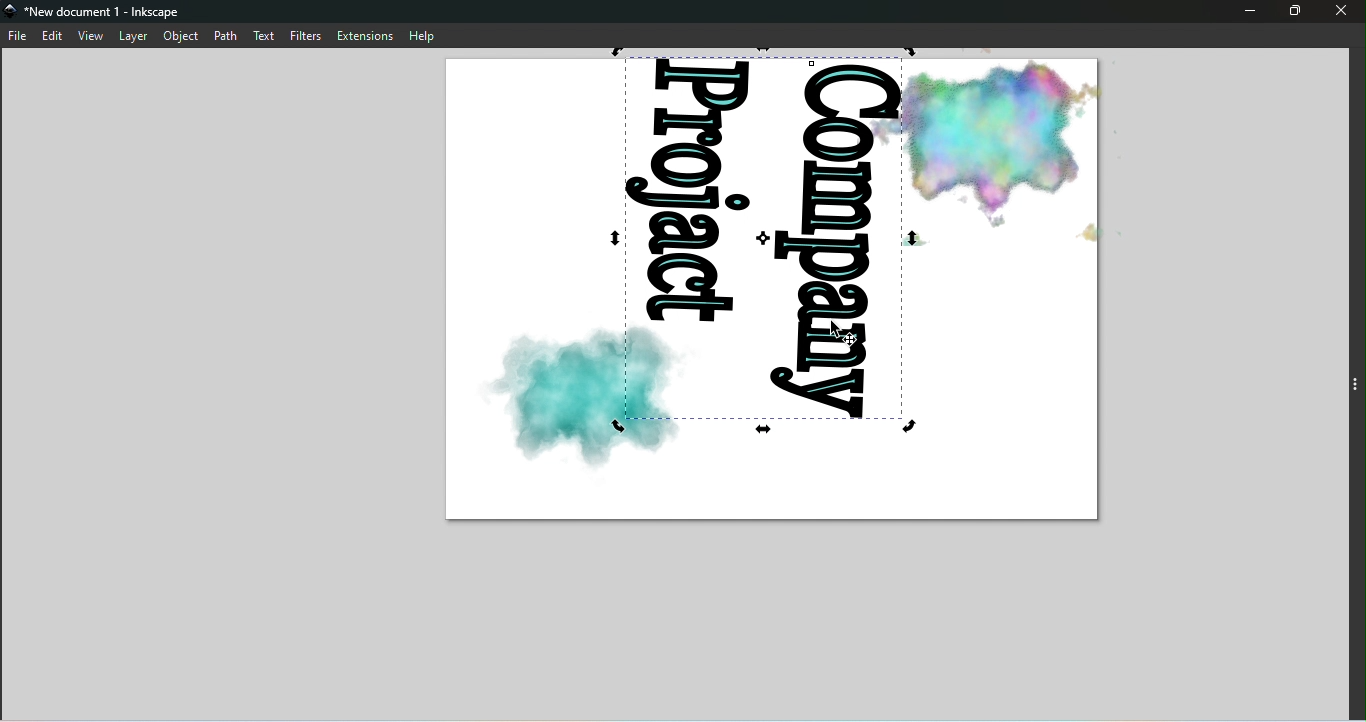 The height and width of the screenshot is (722, 1366). I want to click on Layer, so click(132, 37).